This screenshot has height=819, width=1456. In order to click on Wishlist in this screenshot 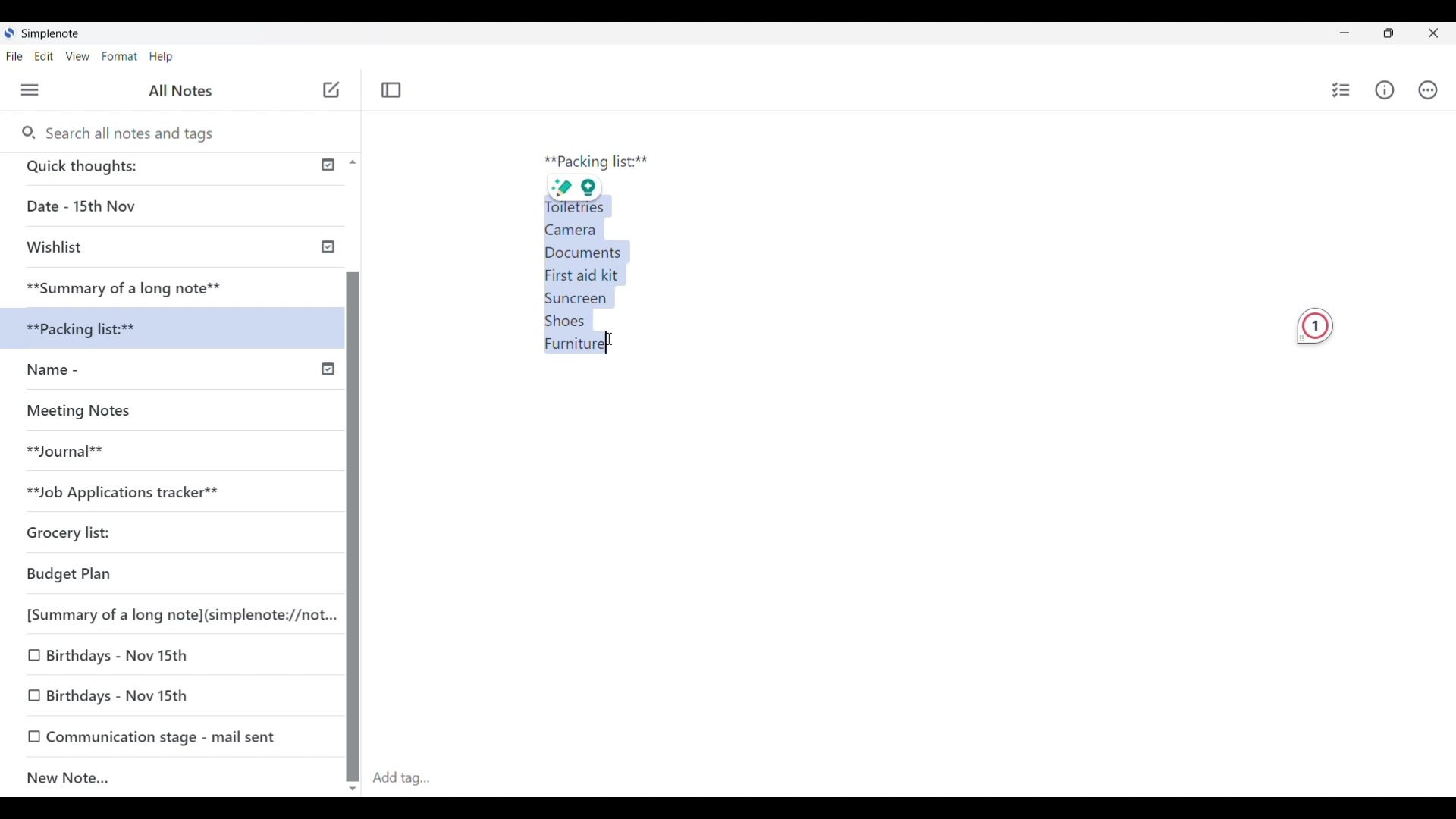, I will do `click(129, 249)`.